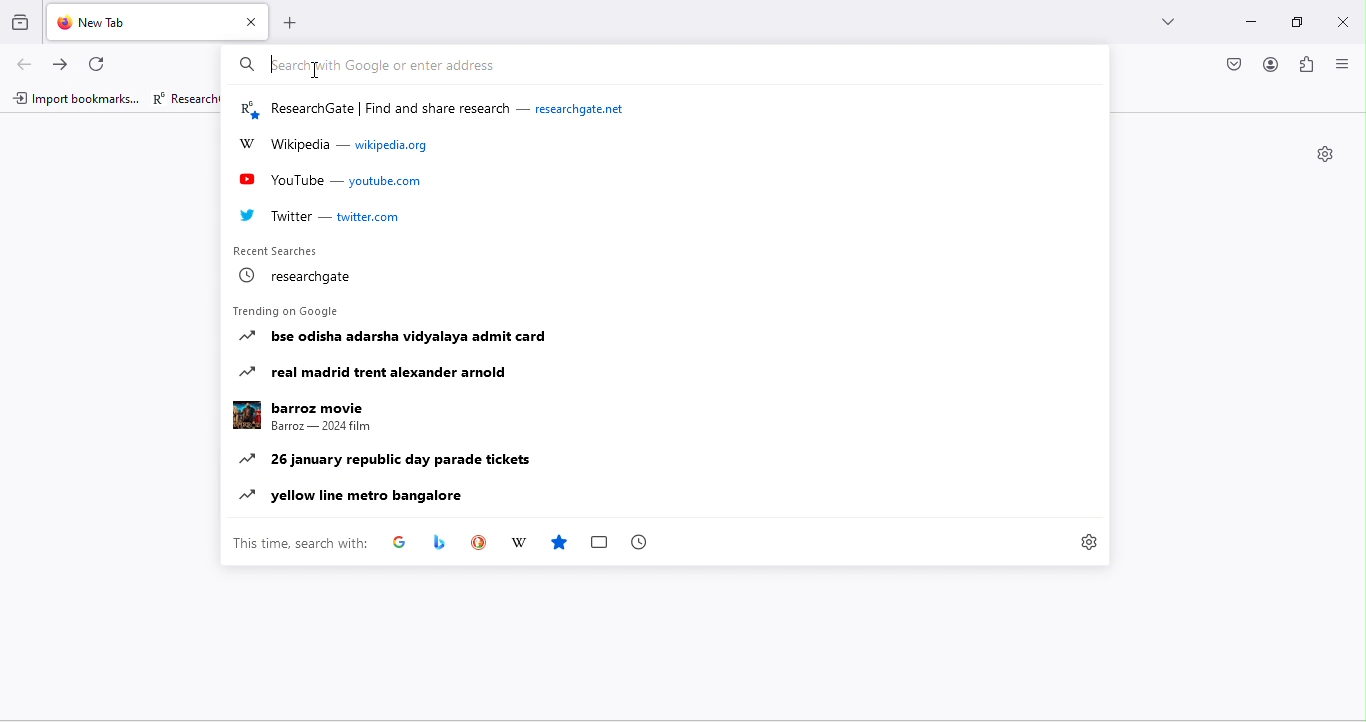 The height and width of the screenshot is (722, 1366). I want to click on close, so click(247, 22).